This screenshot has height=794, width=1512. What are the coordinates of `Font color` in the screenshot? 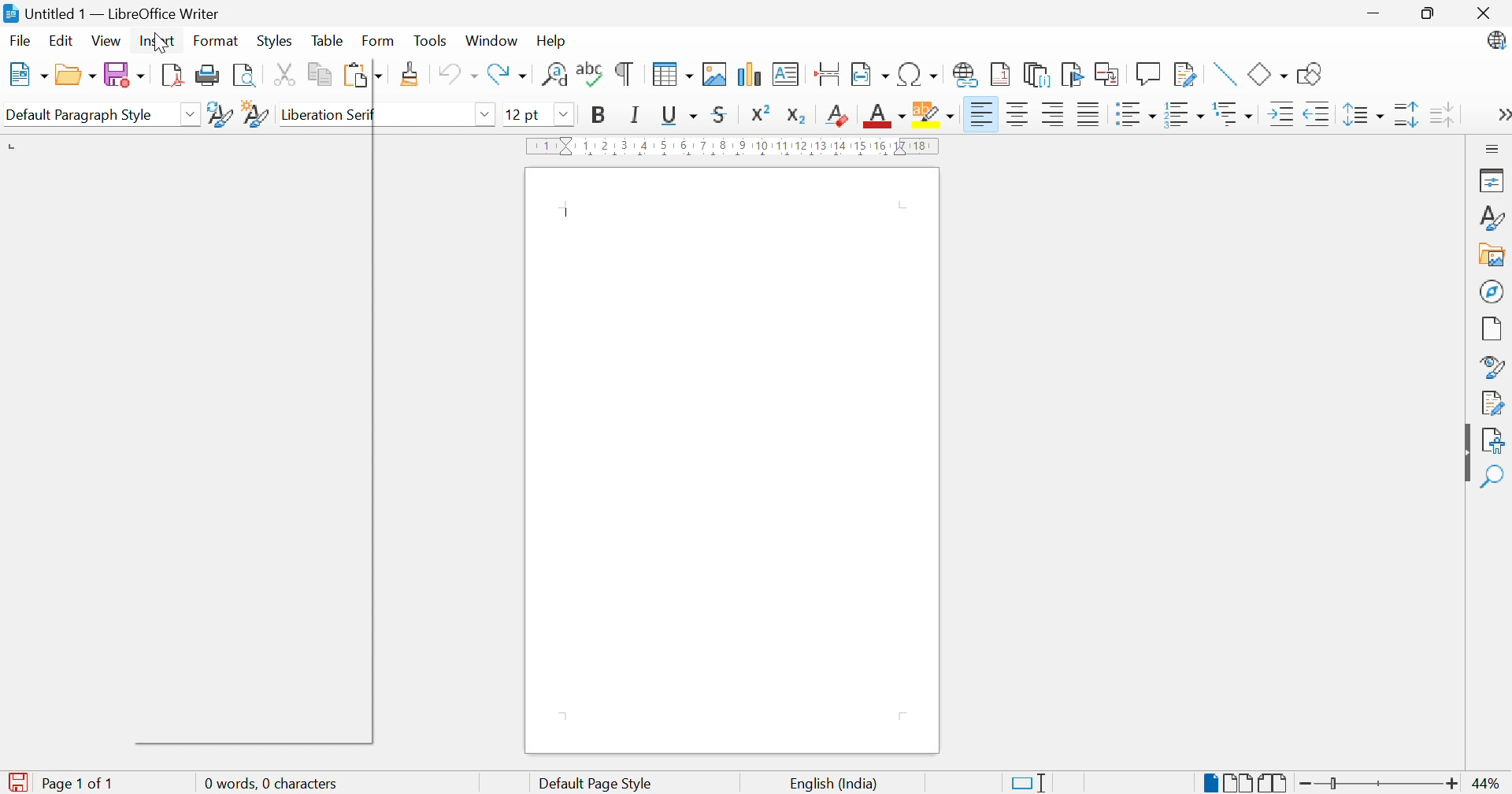 It's located at (886, 117).